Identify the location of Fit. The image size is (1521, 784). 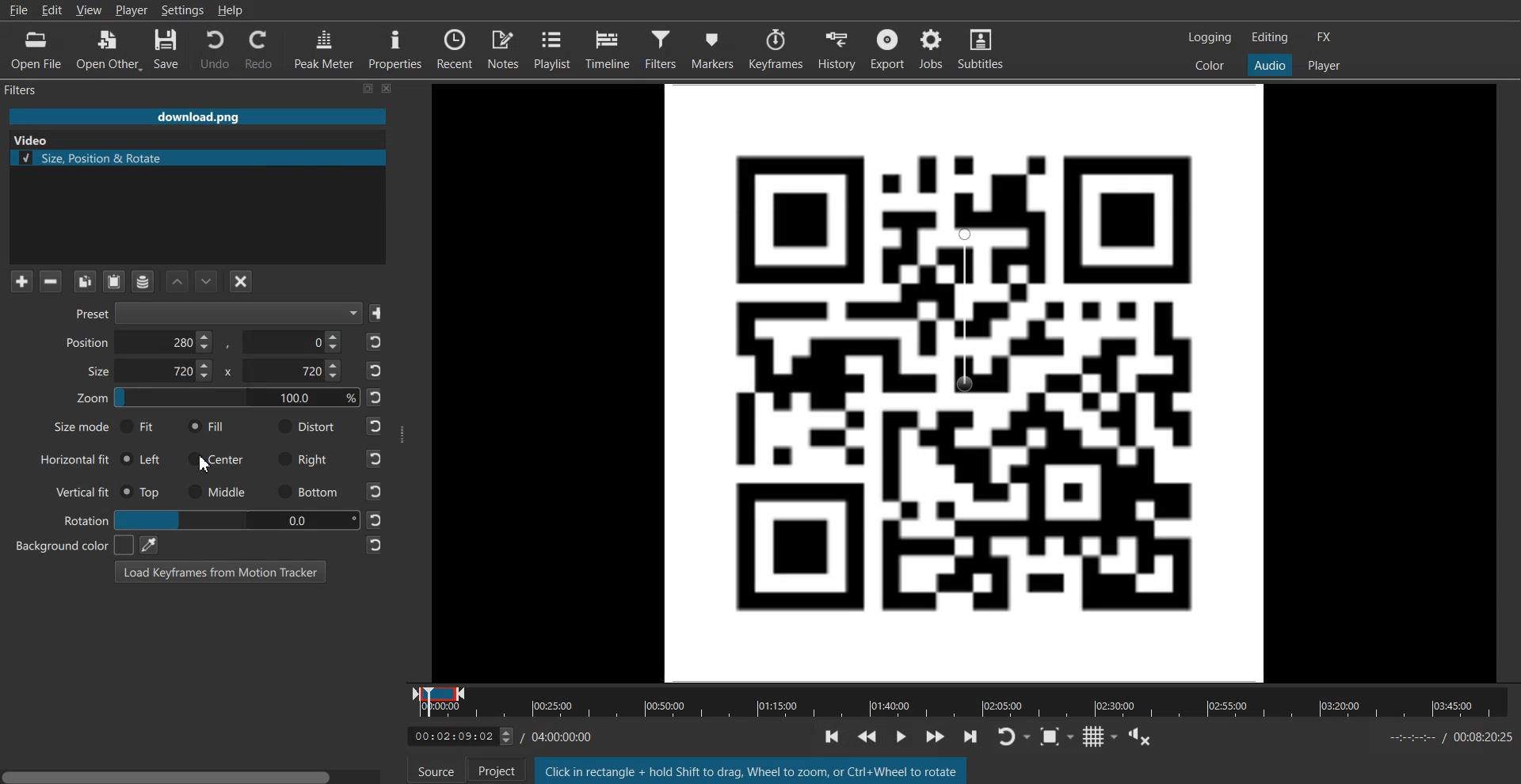
(139, 426).